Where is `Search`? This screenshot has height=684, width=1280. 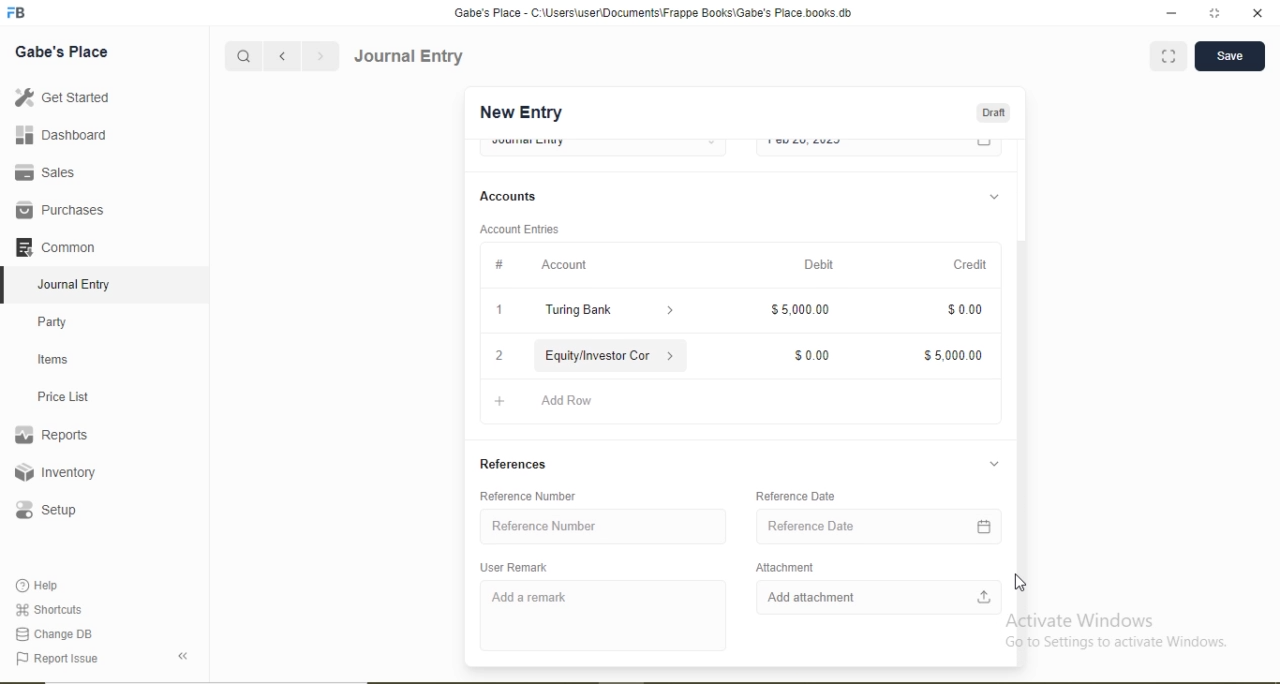 Search is located at coordinates (242, 57).